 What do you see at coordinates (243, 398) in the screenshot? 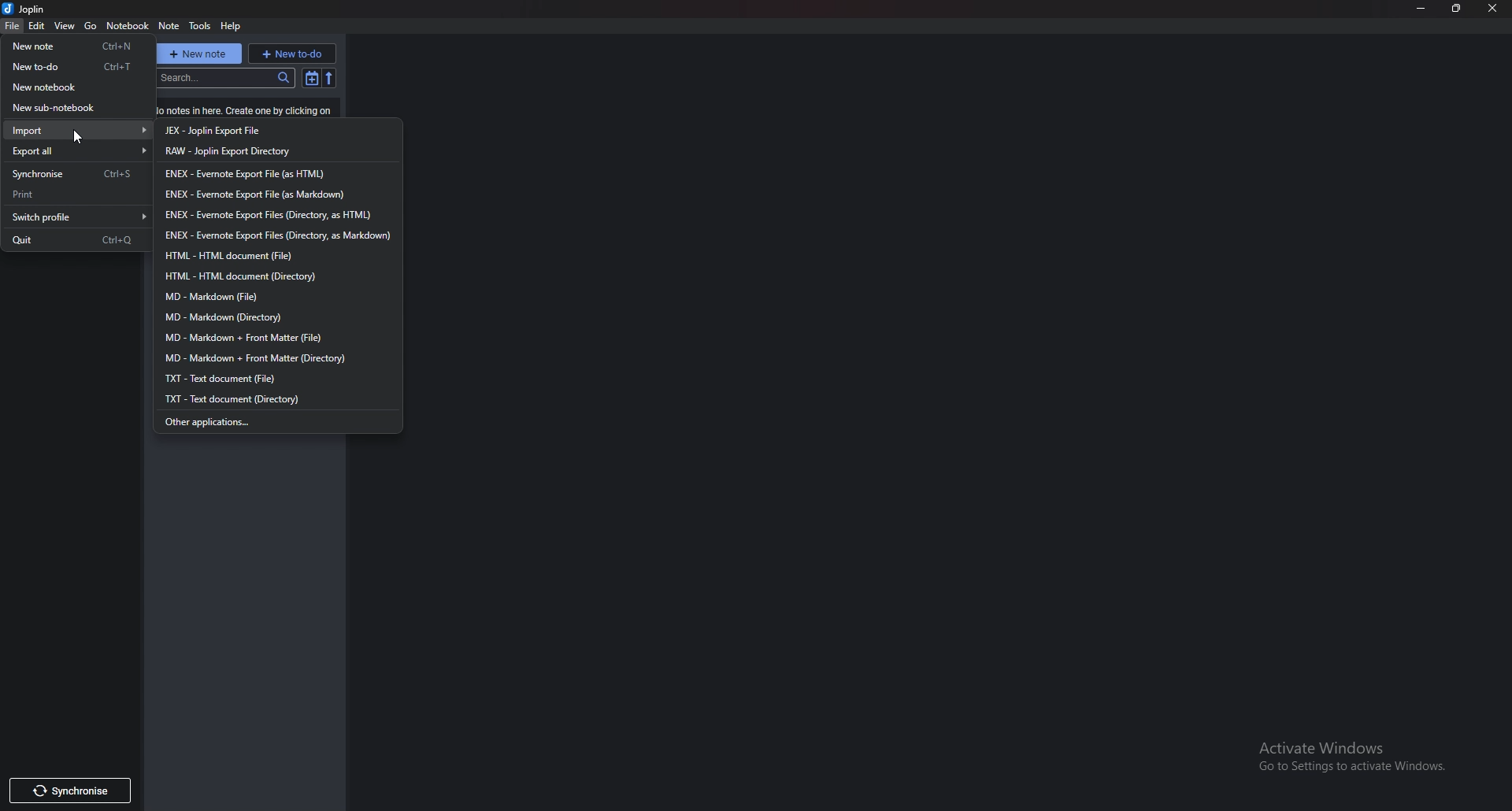
I see `txt directory` at bounding box center [243, 398].